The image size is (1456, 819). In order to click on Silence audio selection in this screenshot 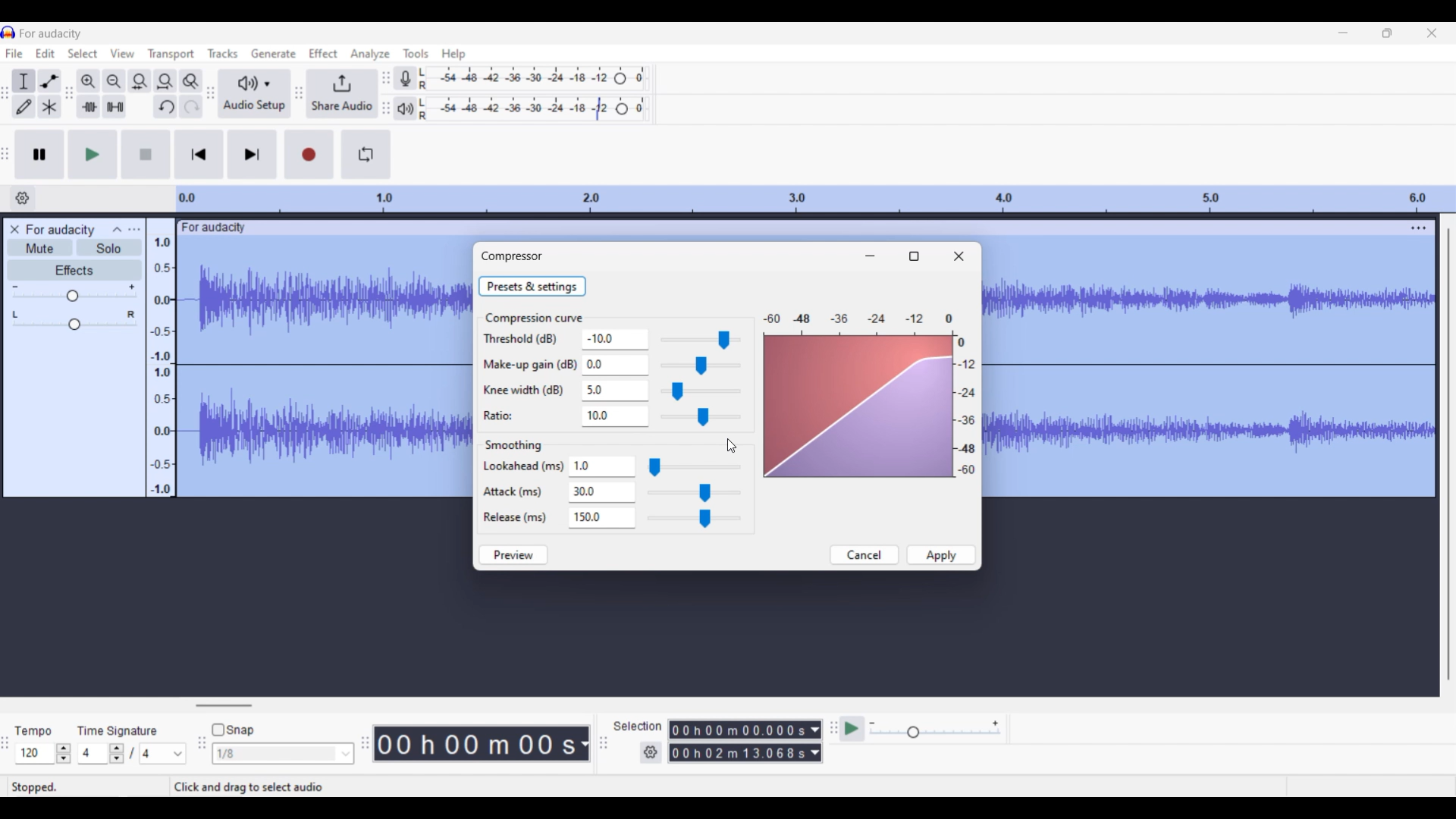, I will do `click(115, 106)`.